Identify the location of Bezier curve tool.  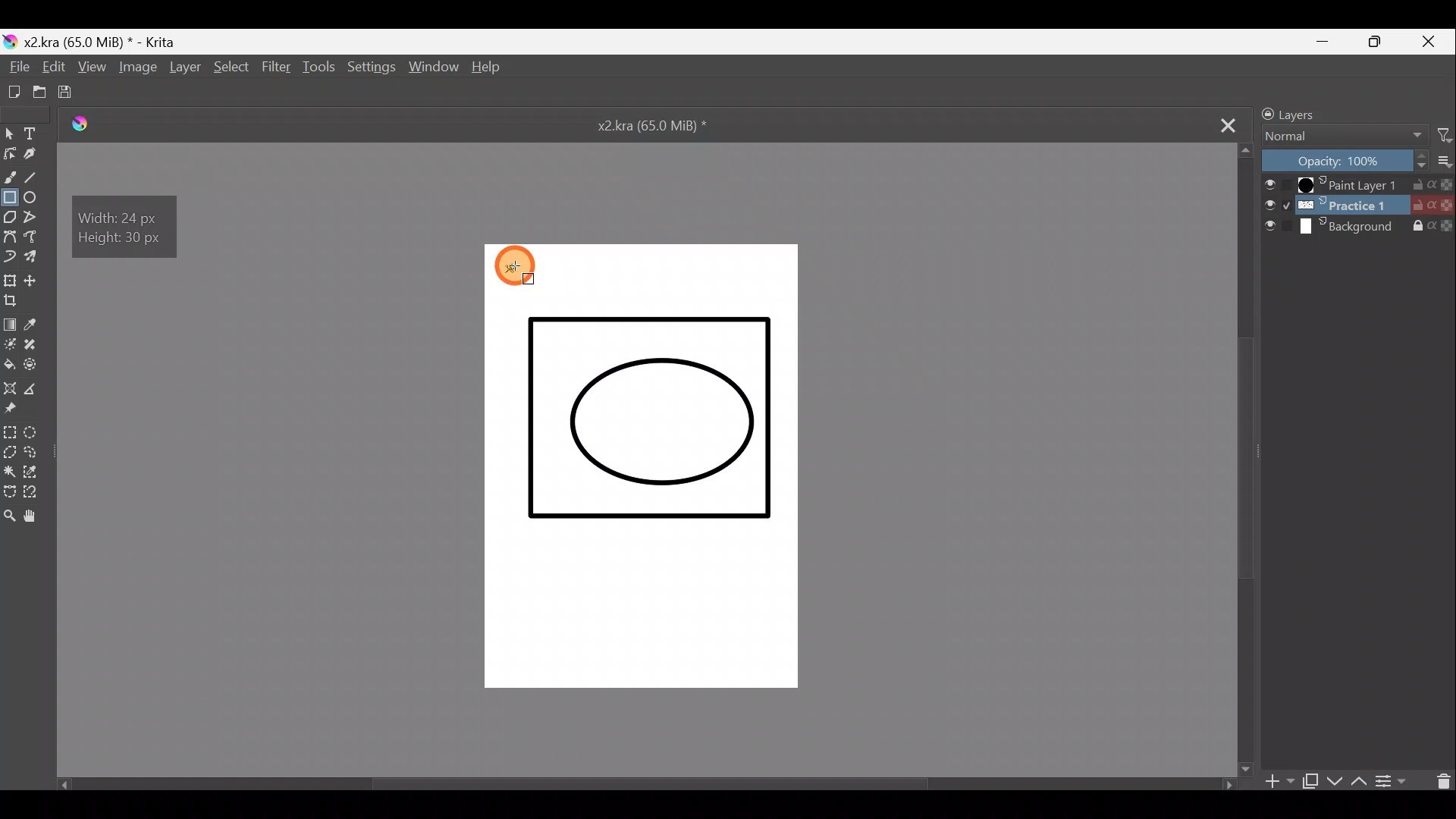
(10, 235).